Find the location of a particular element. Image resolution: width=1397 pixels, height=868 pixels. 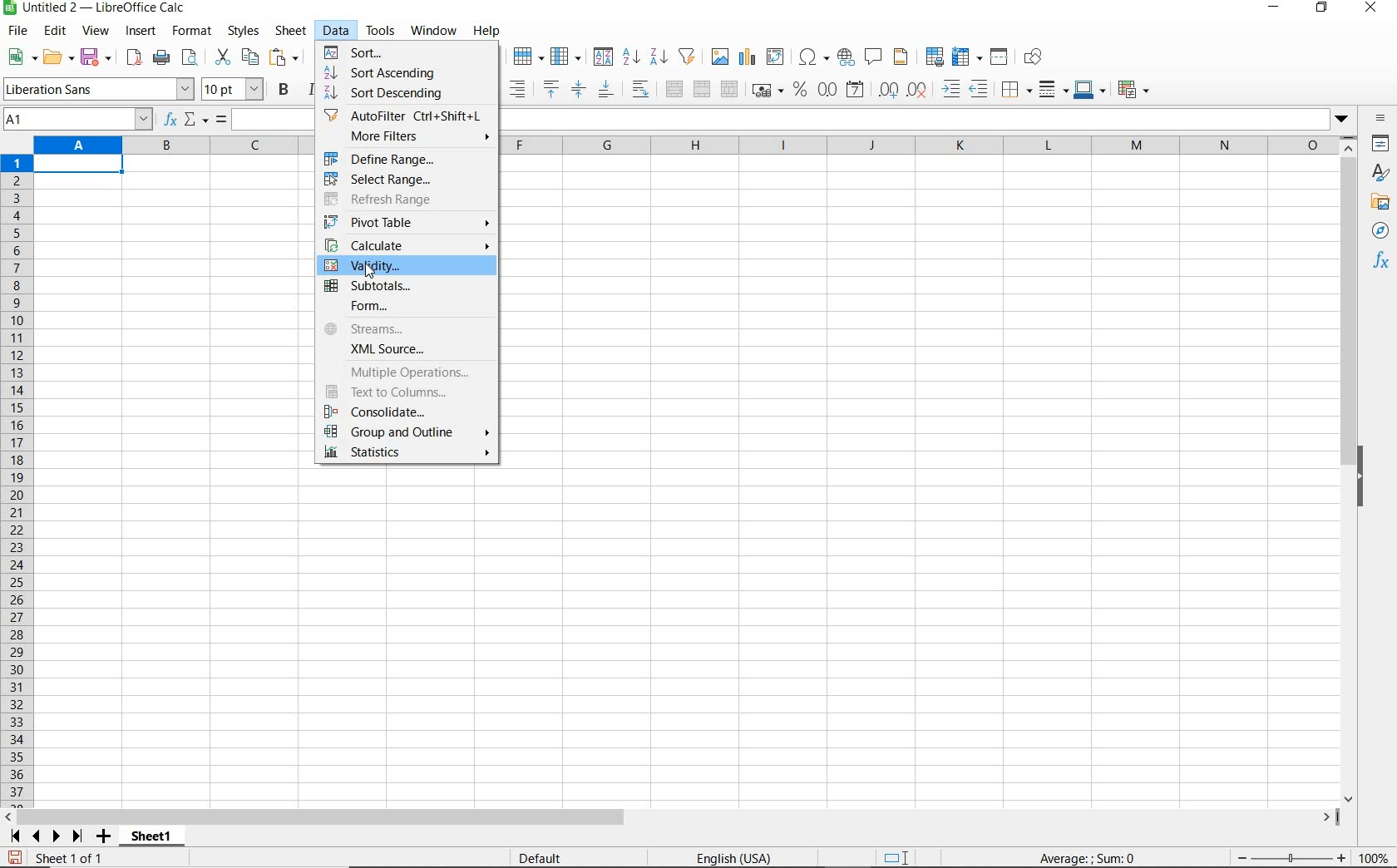

tools is located at coordinates (382, 31).